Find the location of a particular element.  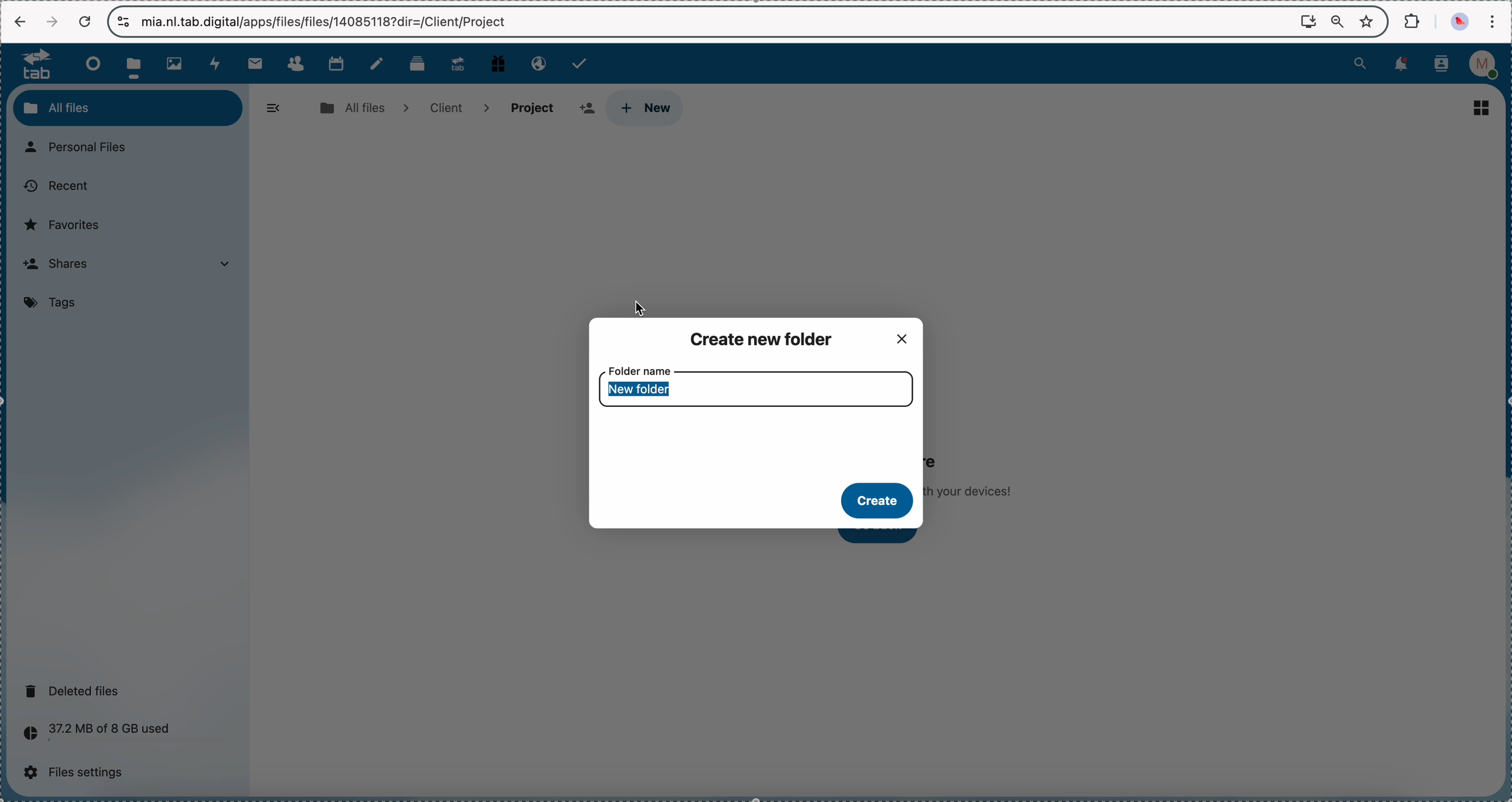

no files in here is located at coordinates (977, 472).